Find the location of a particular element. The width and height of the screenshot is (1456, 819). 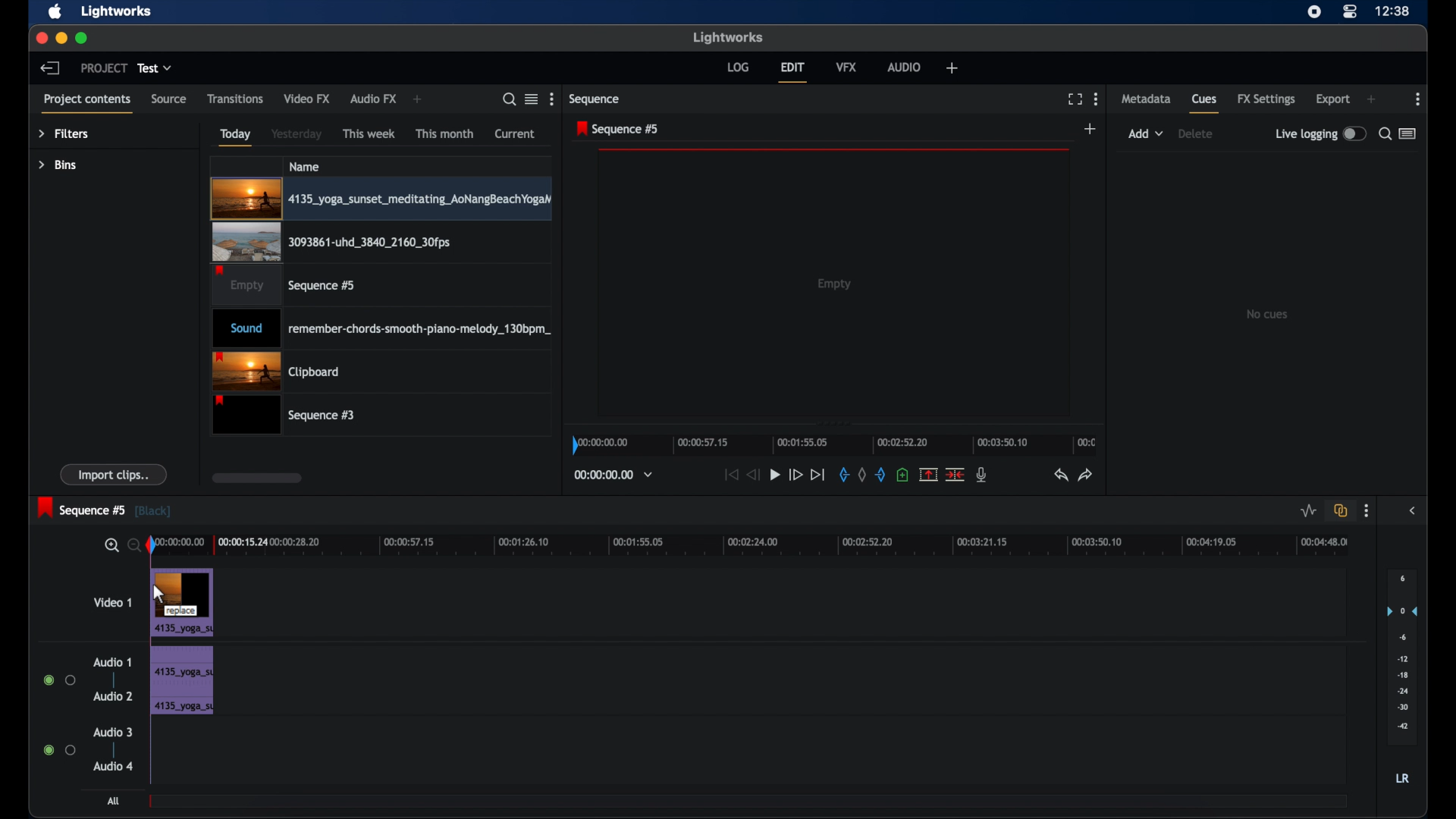

this week is located at coordinates (369, 133).